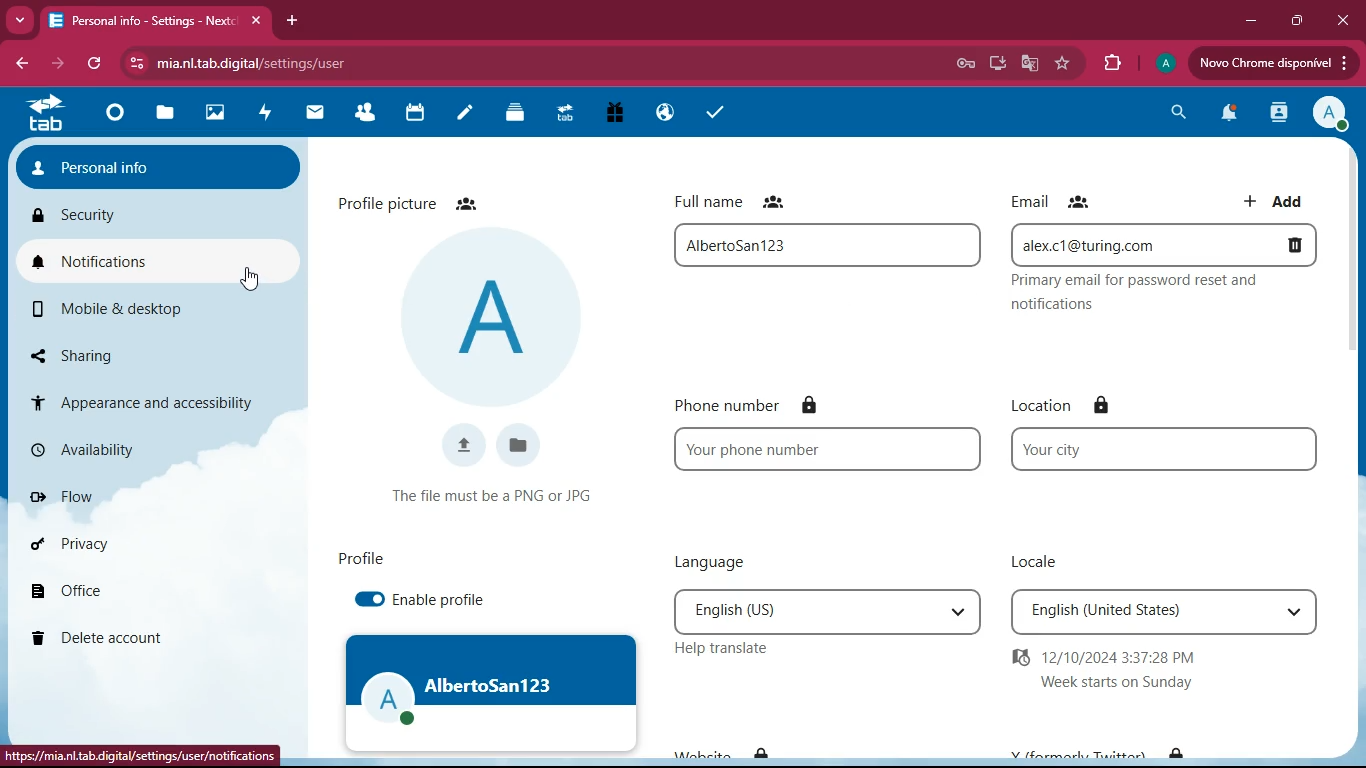 The width and height of the screenshot is (1366, 768). What do you see at coordinates (138, 307) in the screenshot?
I see `mobile` at bounding box center [138, 307].